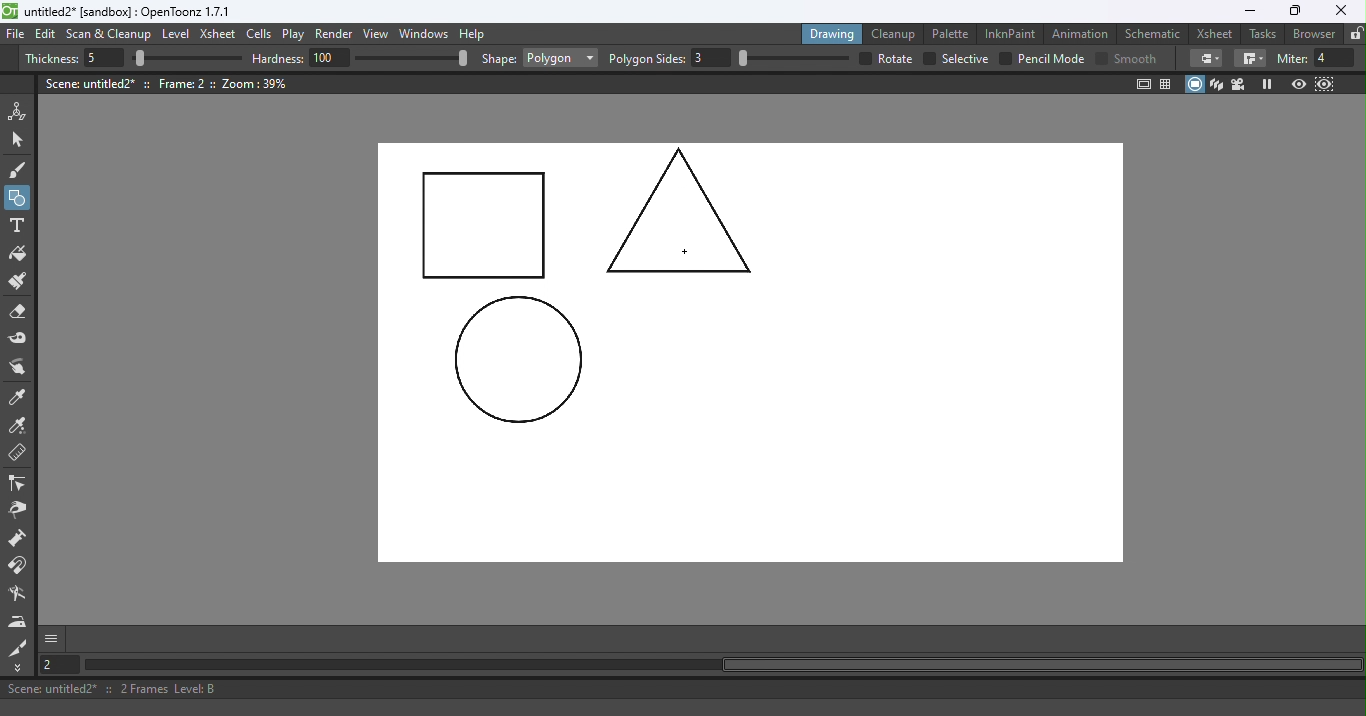 Image resolution: width=1366 pixels, height=716 pixels. I want to click on Horizontal scroll bar, so click(722, 665).